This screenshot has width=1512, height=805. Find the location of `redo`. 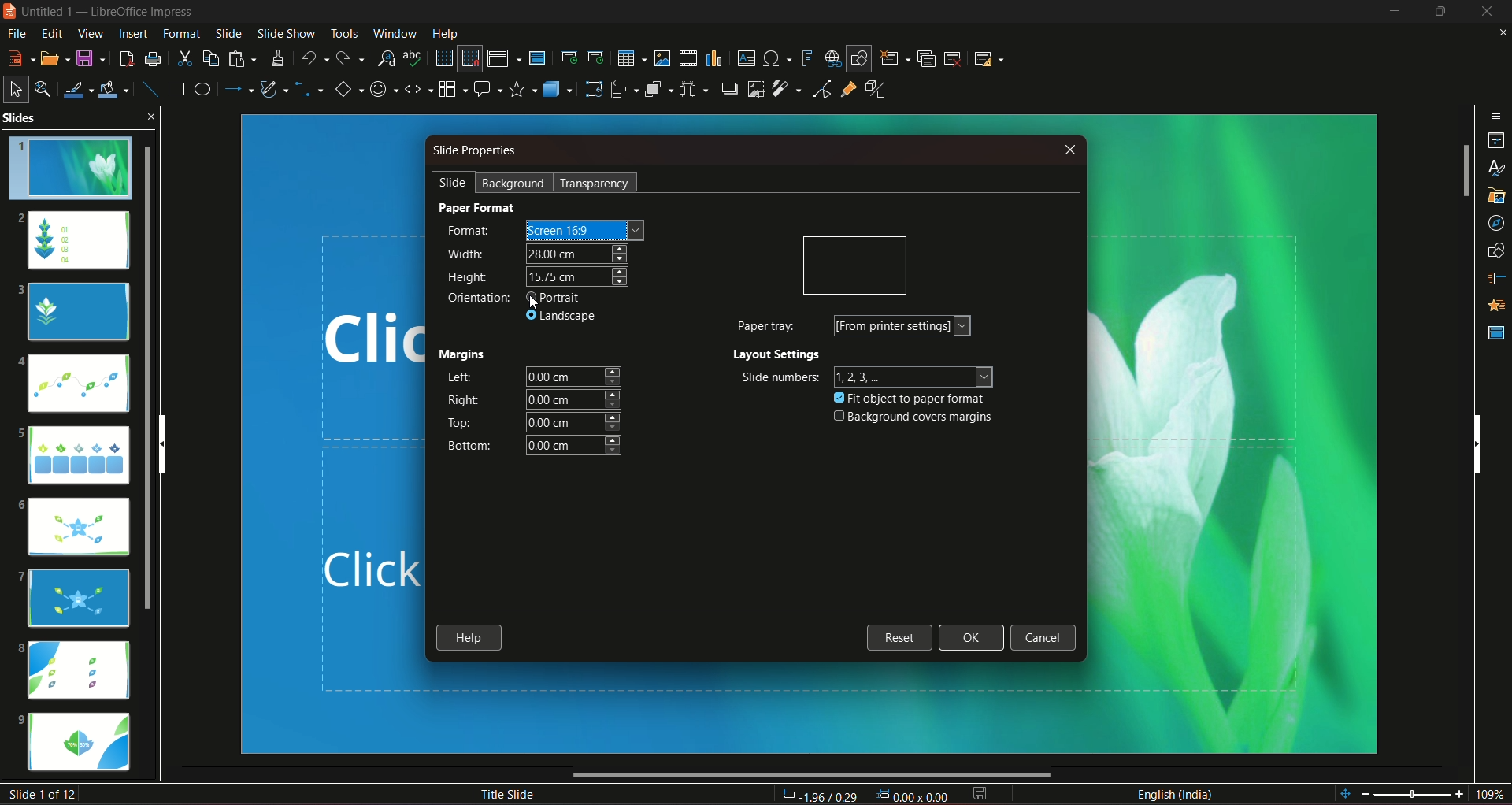

redo is located at coordinates (352, 57).